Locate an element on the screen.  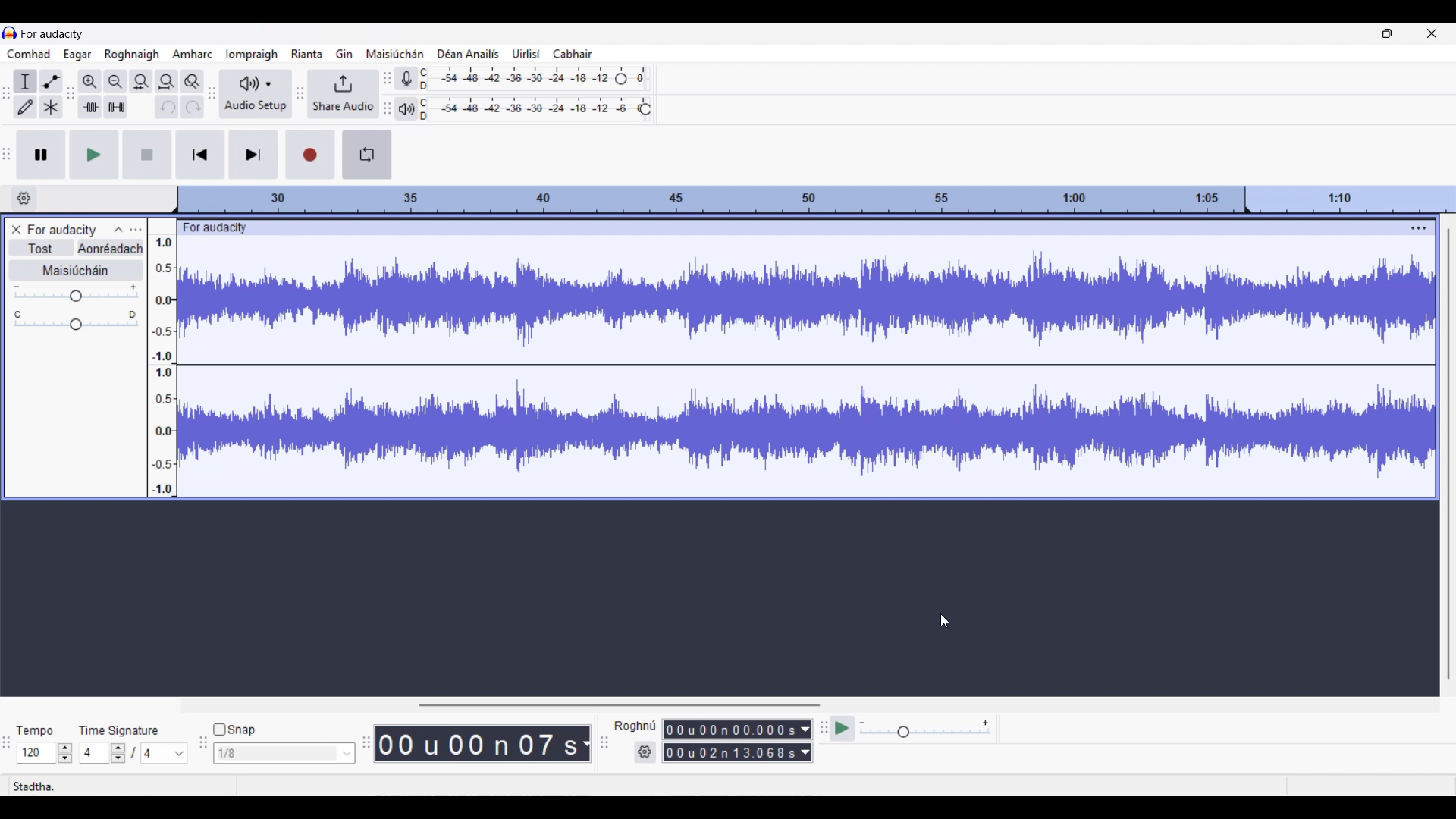
Close track is located at coordinates (16, 229).